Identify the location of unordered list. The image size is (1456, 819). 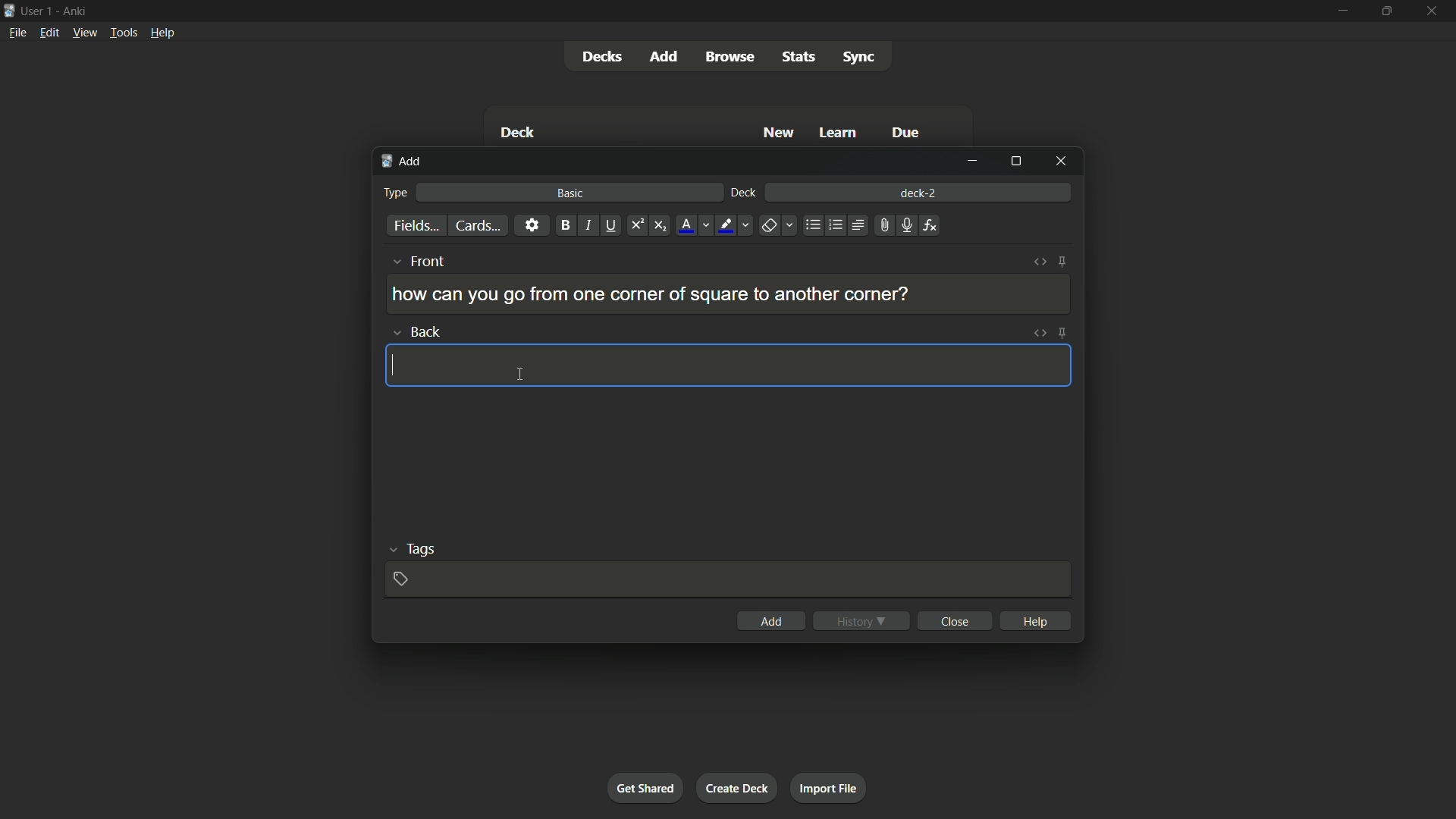
(811, 225).